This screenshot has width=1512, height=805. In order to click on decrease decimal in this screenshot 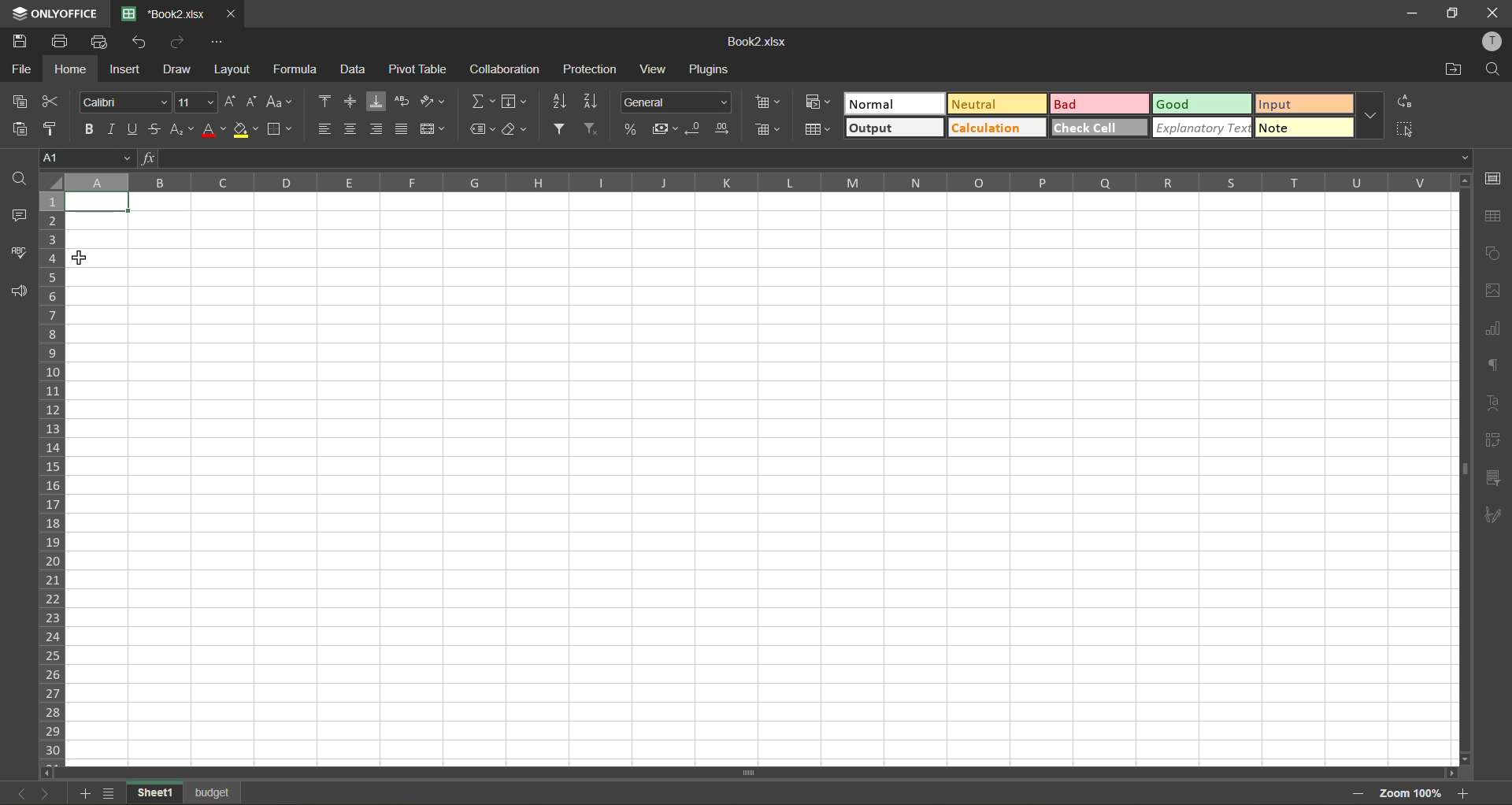, I will do `click(699, 129)`.